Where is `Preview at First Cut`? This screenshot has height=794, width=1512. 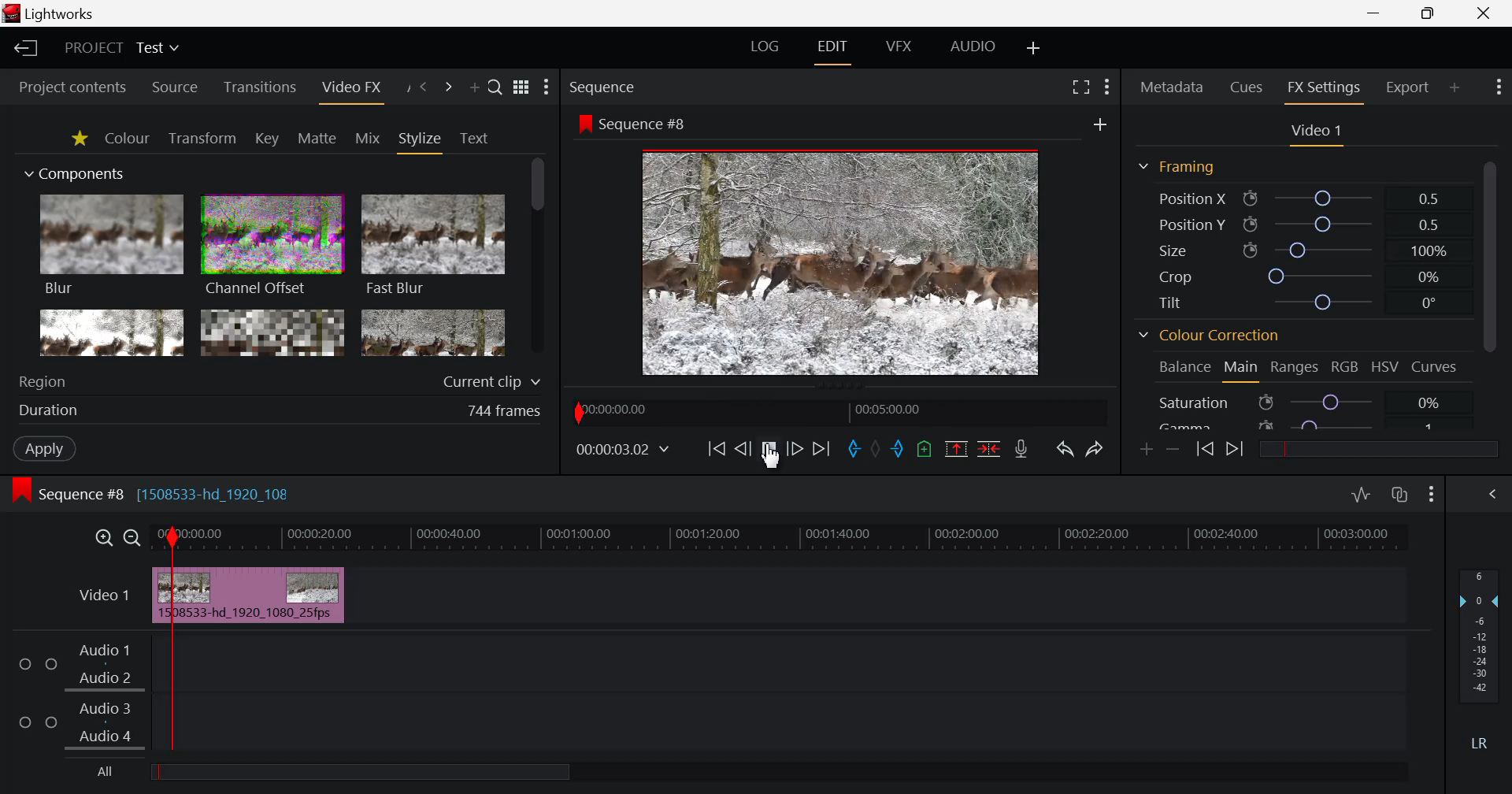
Preview at First Cut is located at coordinates (841, 261).